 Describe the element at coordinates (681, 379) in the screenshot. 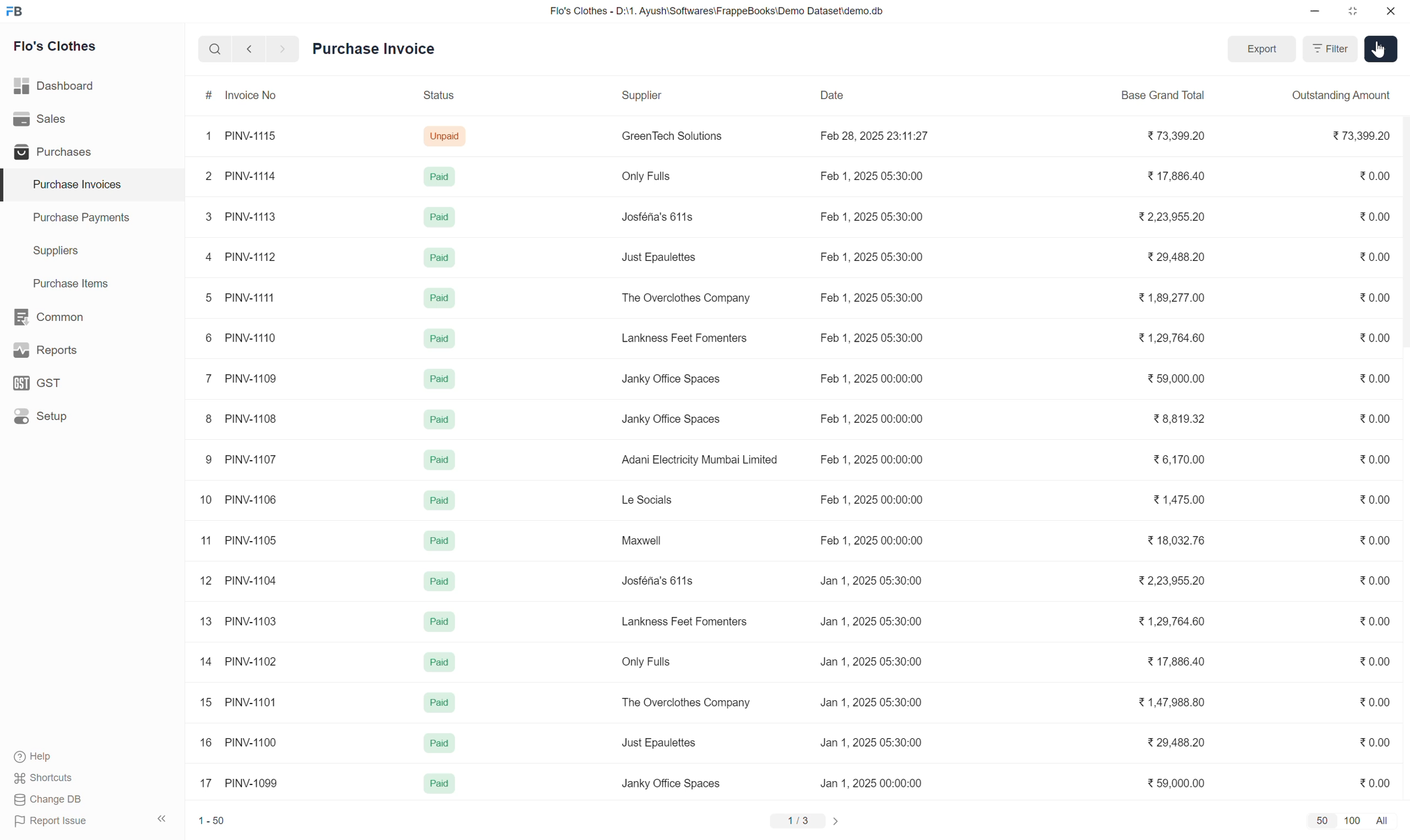

I see `Janky Office Spaces` at that location.